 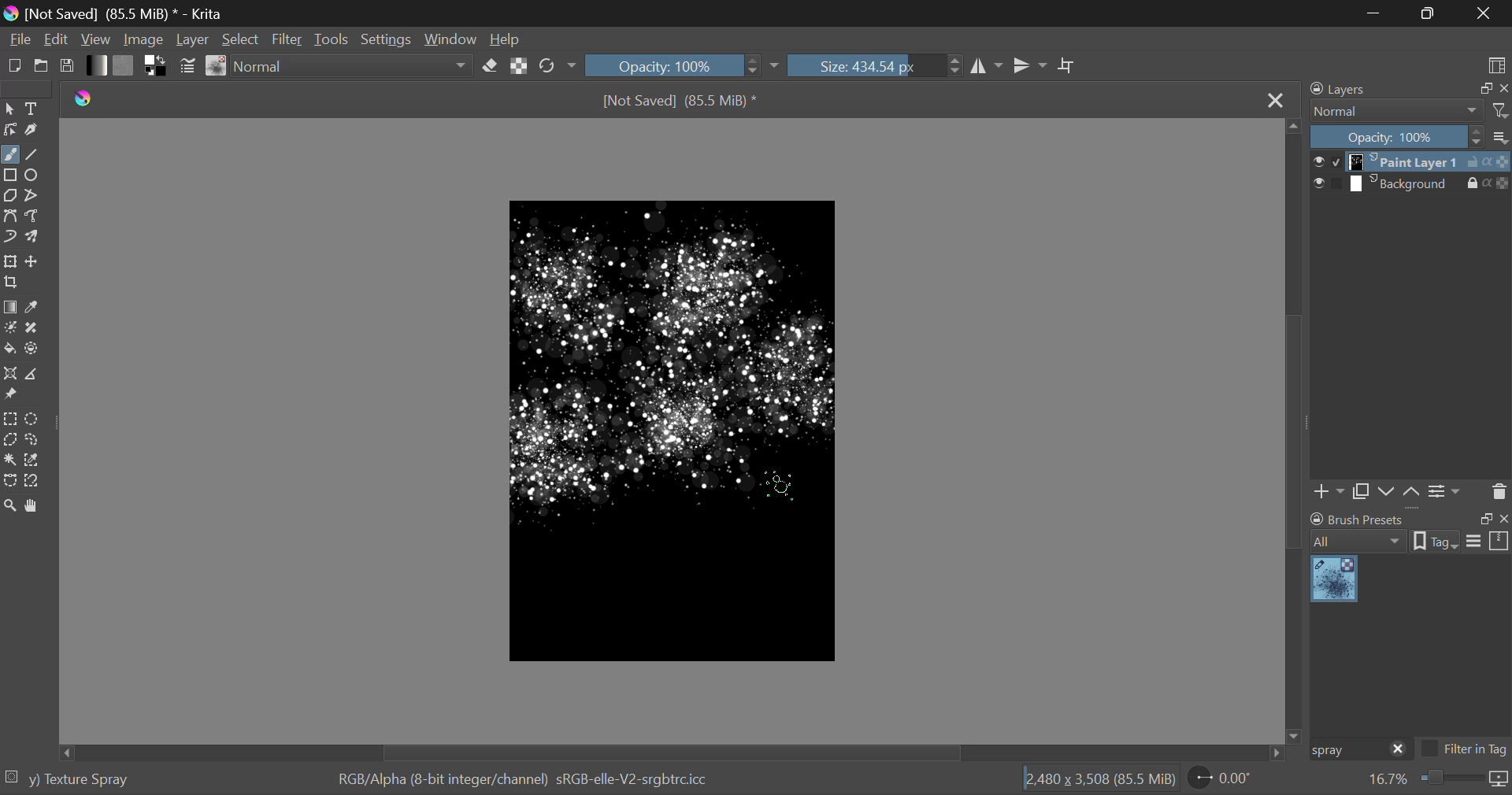 I want to click on Pan, so click(x=35, y=507).